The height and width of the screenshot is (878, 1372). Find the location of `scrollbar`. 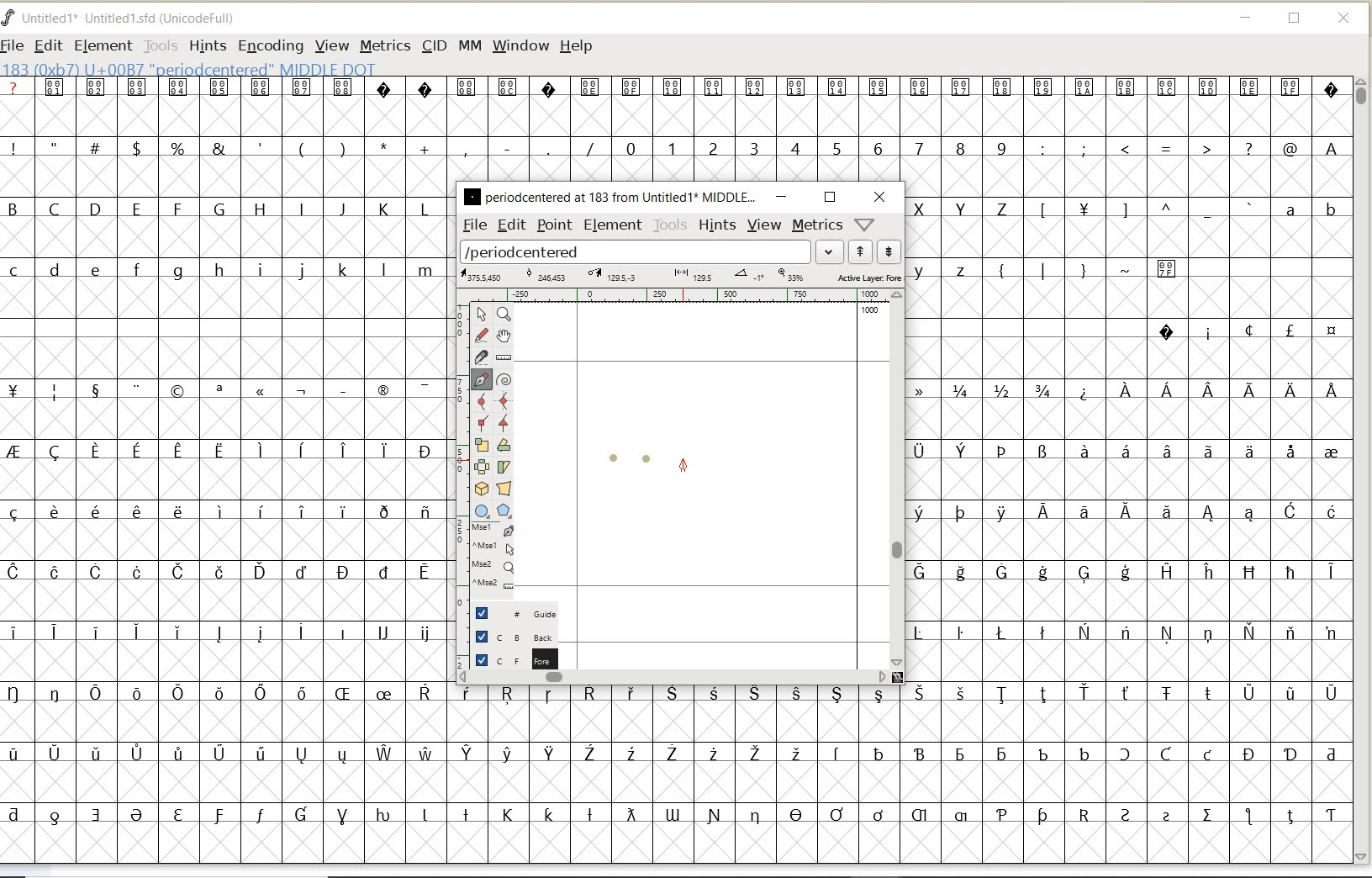

scrollbar is located at coordinates (899, 478).